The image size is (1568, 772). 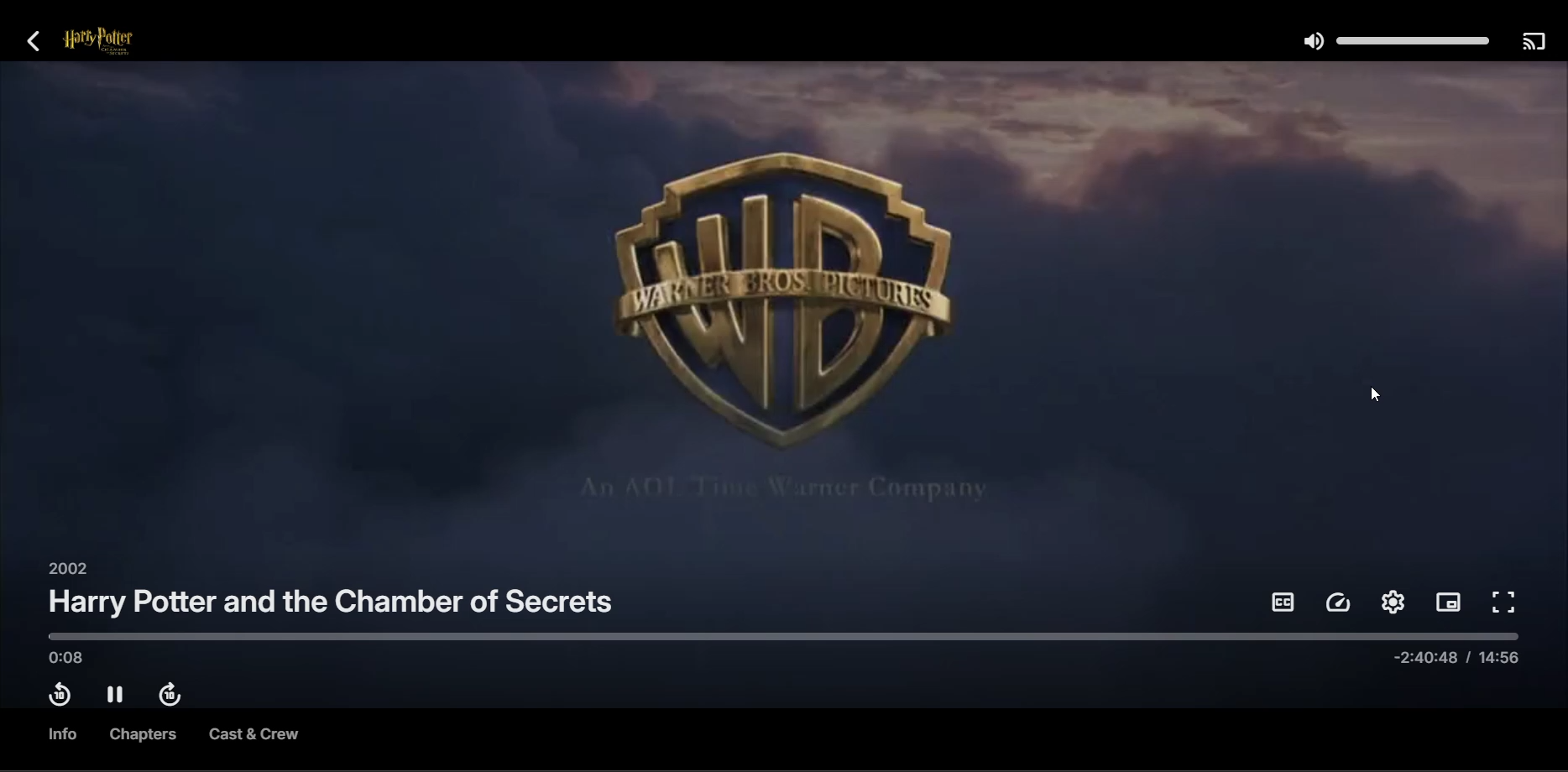 I want to click on Volume, so click(x=1392, y=41).